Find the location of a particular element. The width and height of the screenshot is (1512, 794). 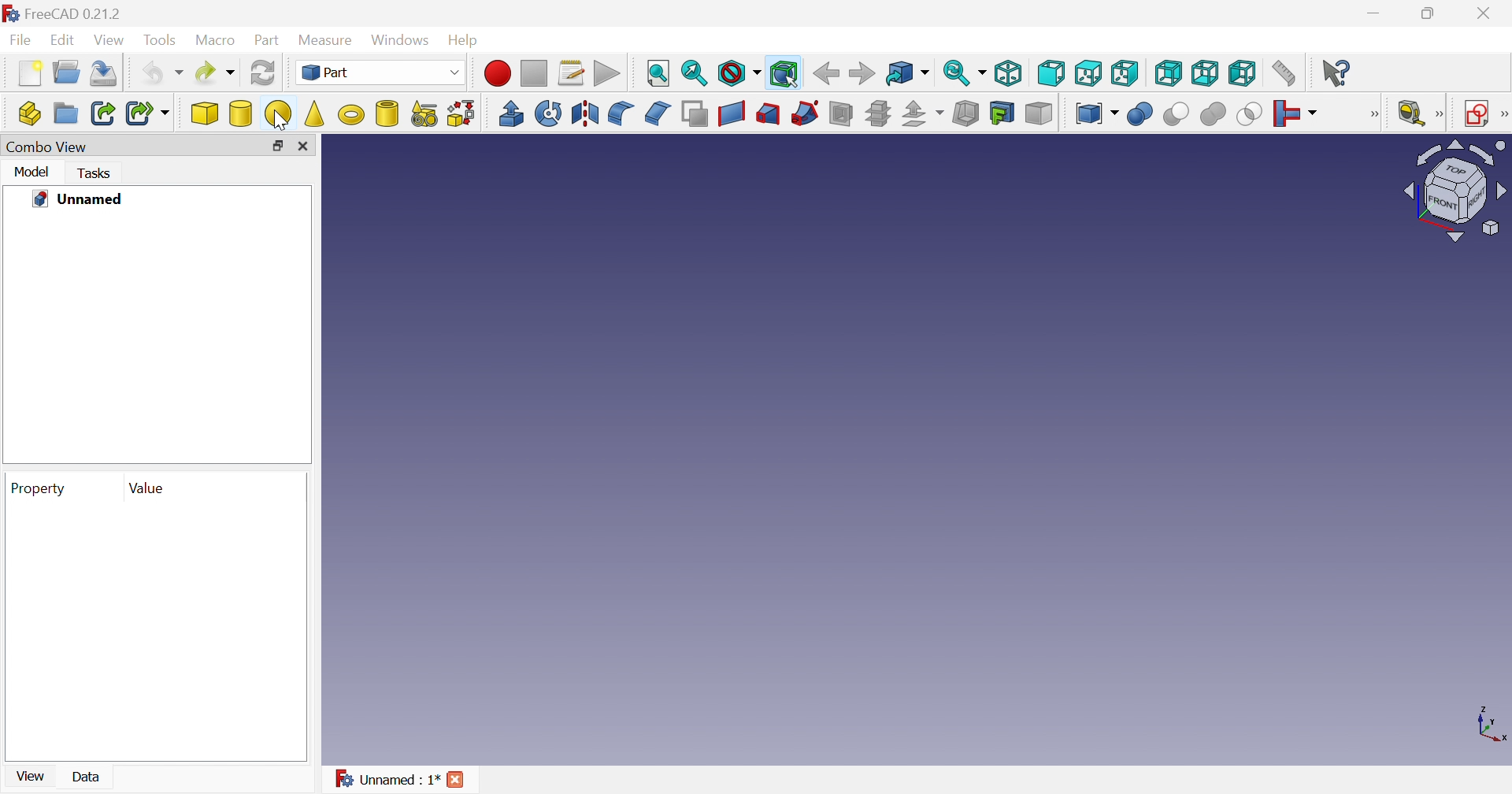

Part is located at coordinates (269, 41).